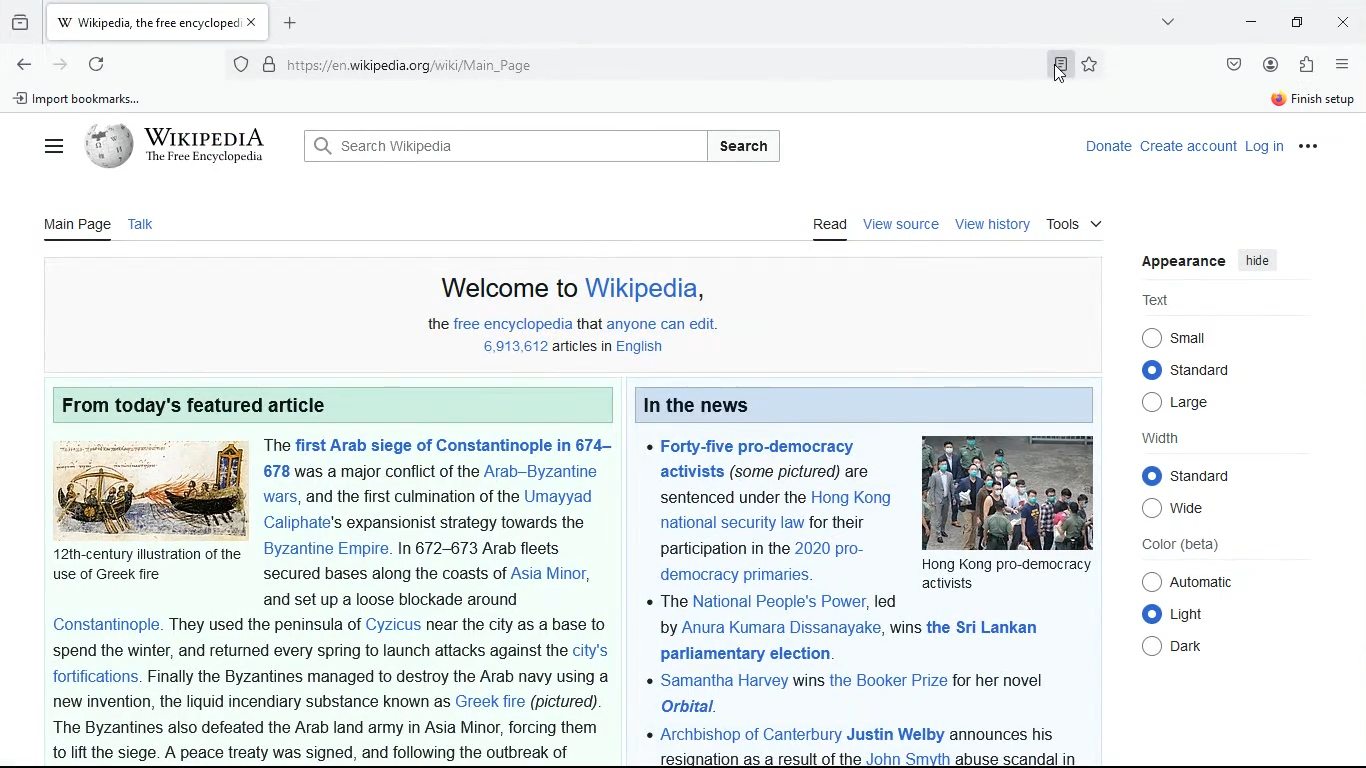 The width and height of the screenshot is (1366, 768). Describe the element at coordinates (568, 337) in the screenshot. I see `description` at that location.